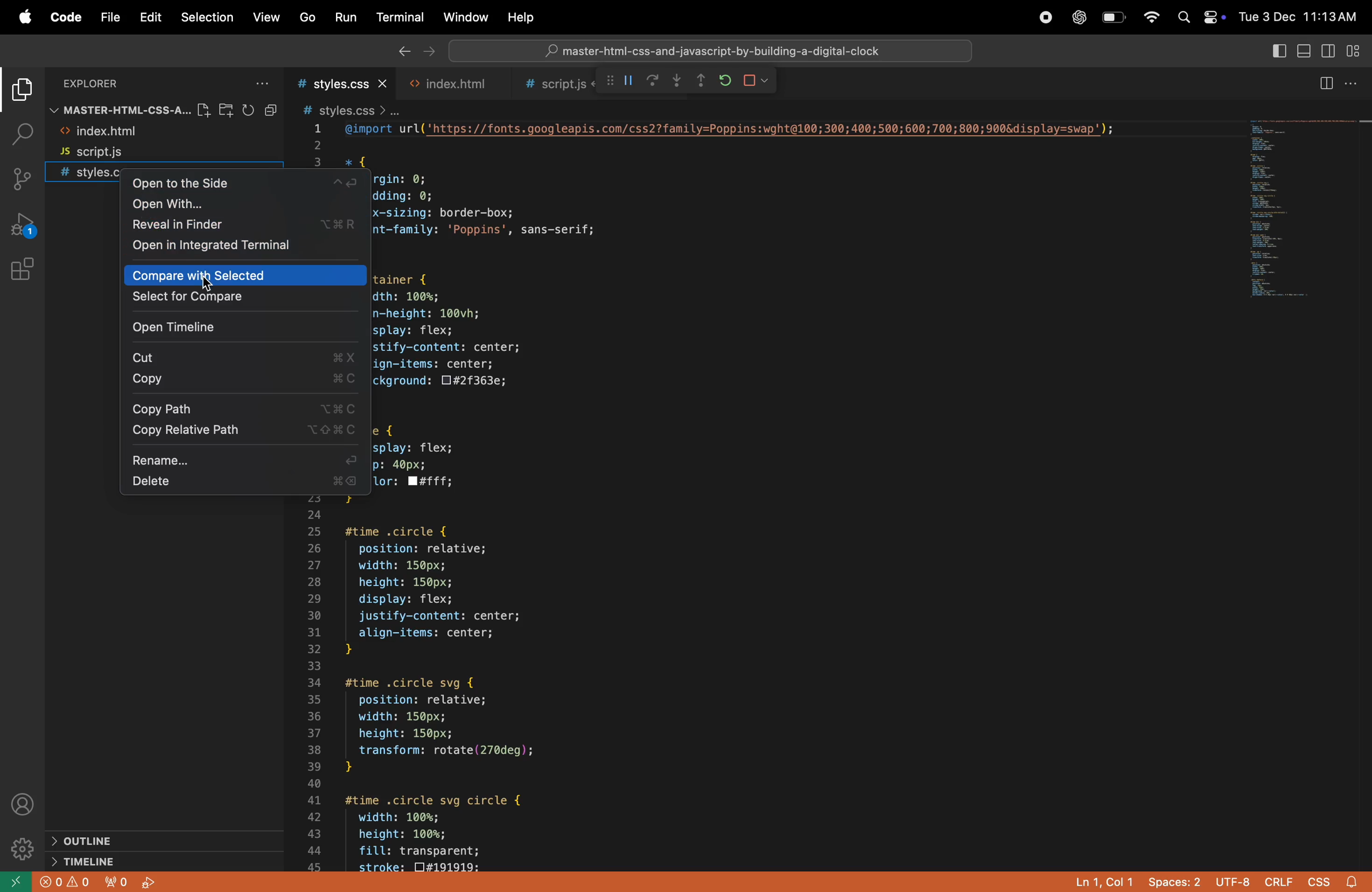 This screenshot has width=1372, height=892. I want to click on chatgpt, so click(1077, 17).